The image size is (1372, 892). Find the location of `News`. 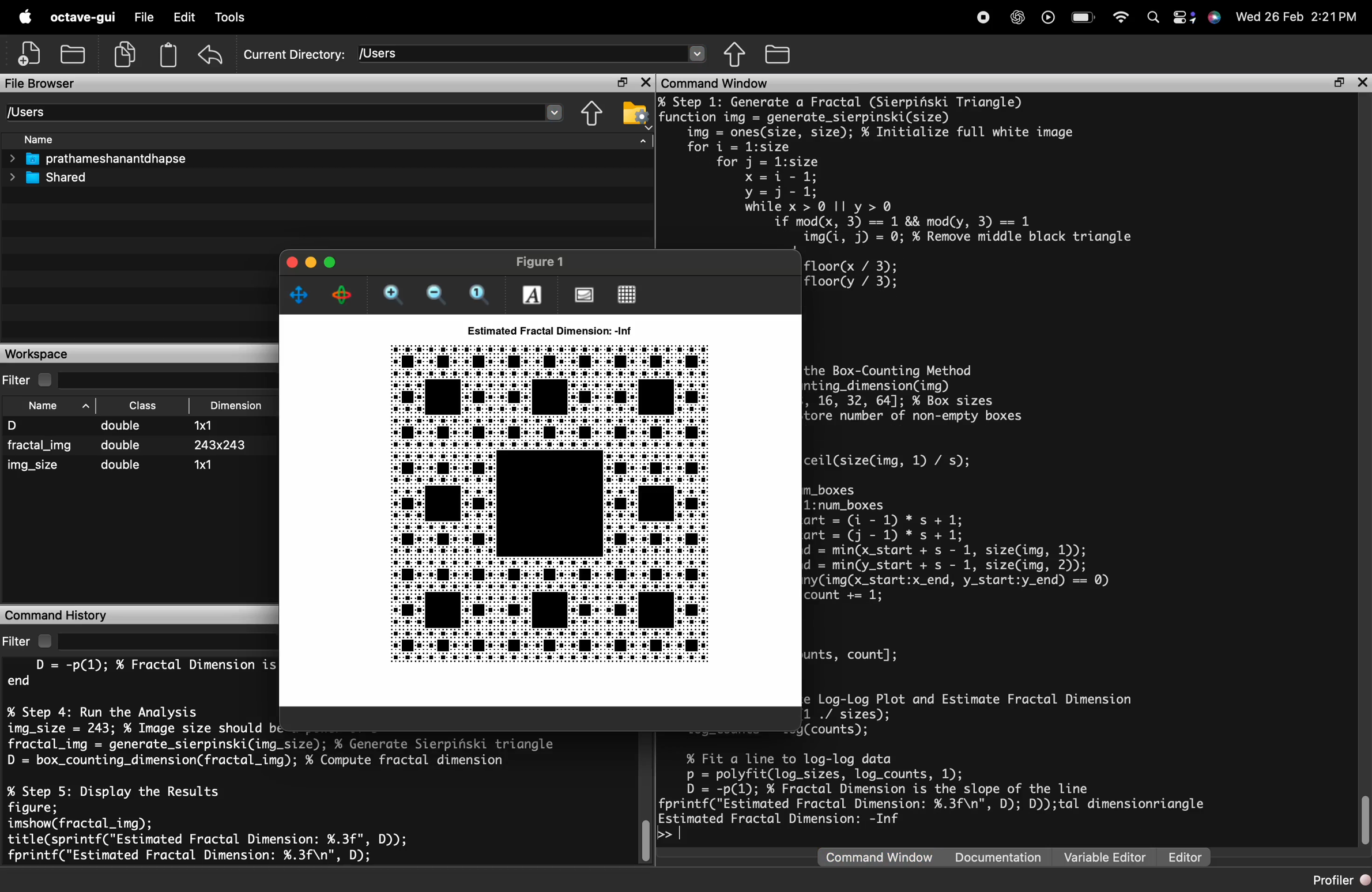

News is located at coordinates (445, 17).